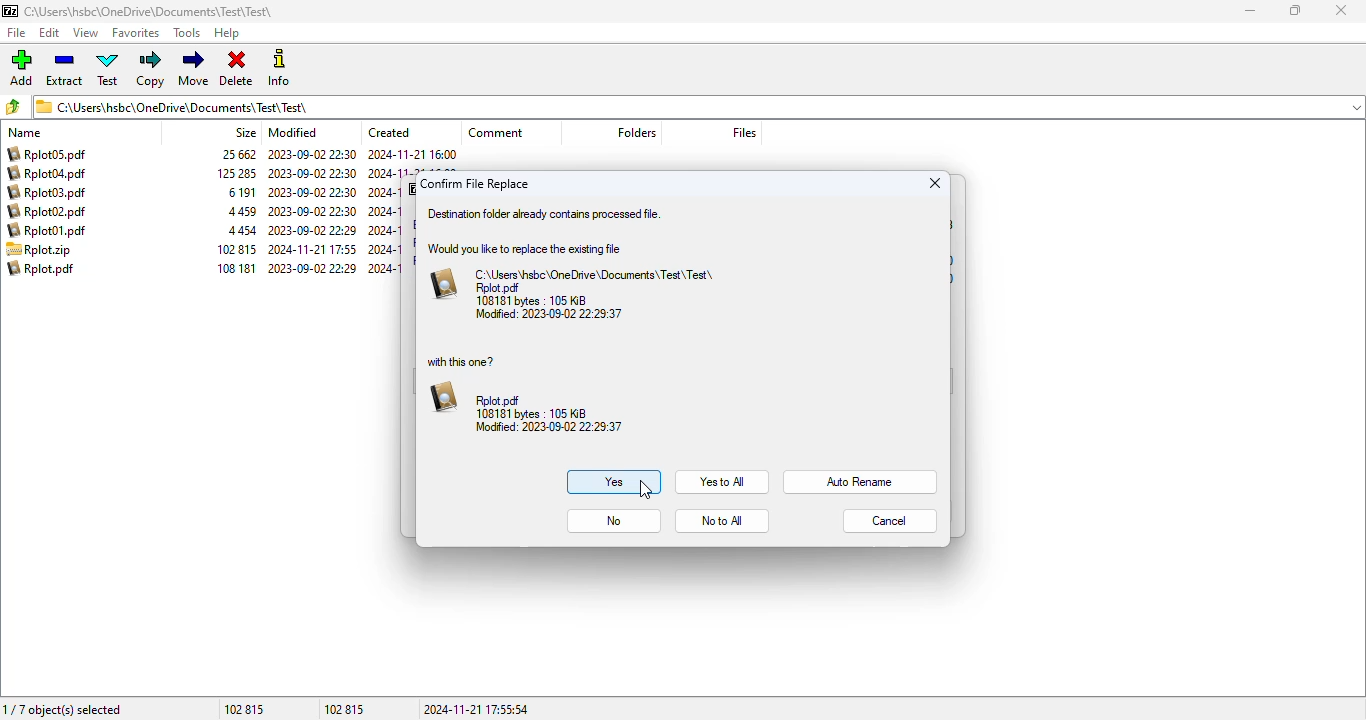 The height and width of the screenshot is (720, 1366). I want to click on minimize, so click(1250, 11).